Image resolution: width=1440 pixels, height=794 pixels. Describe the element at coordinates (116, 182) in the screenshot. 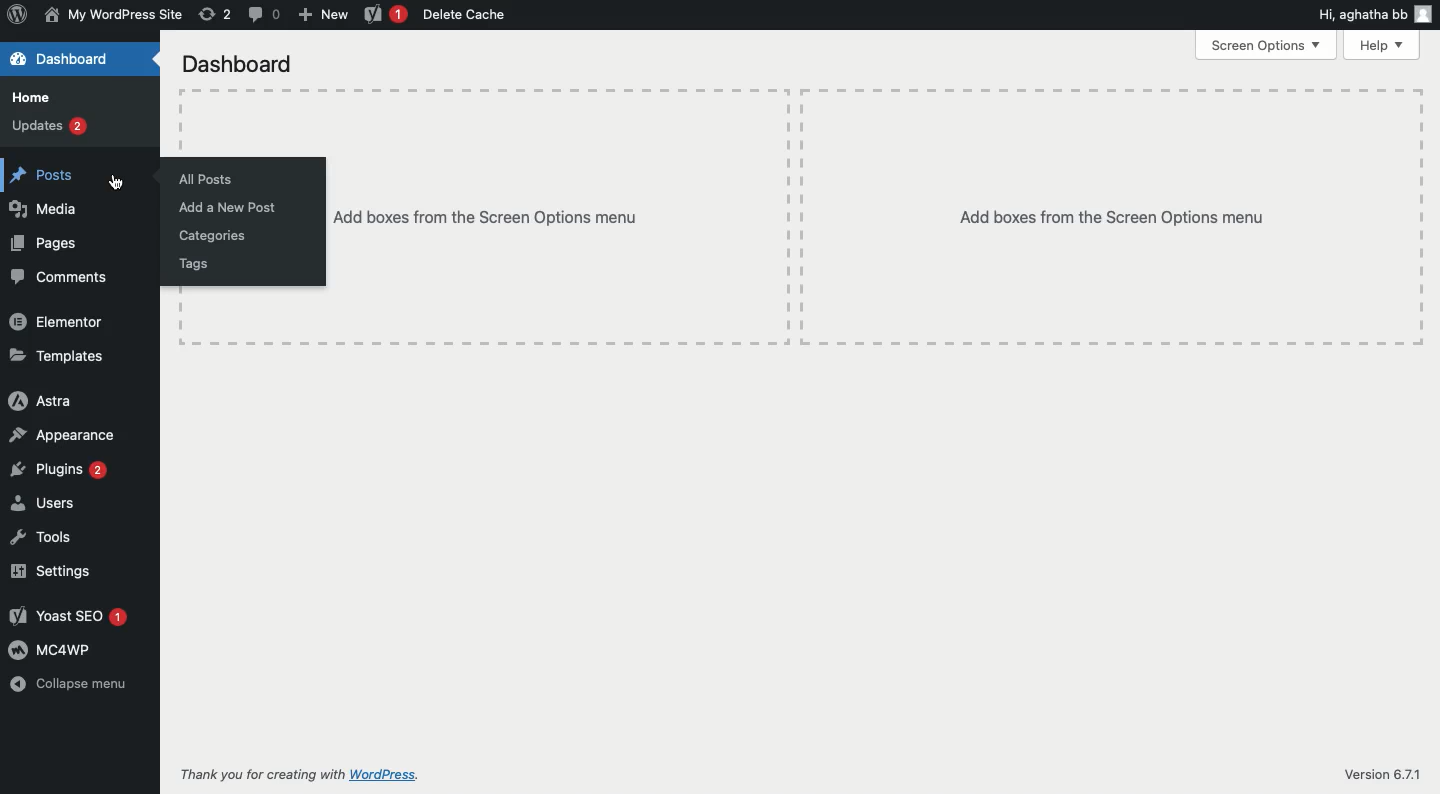

I see `cursor` at that location.